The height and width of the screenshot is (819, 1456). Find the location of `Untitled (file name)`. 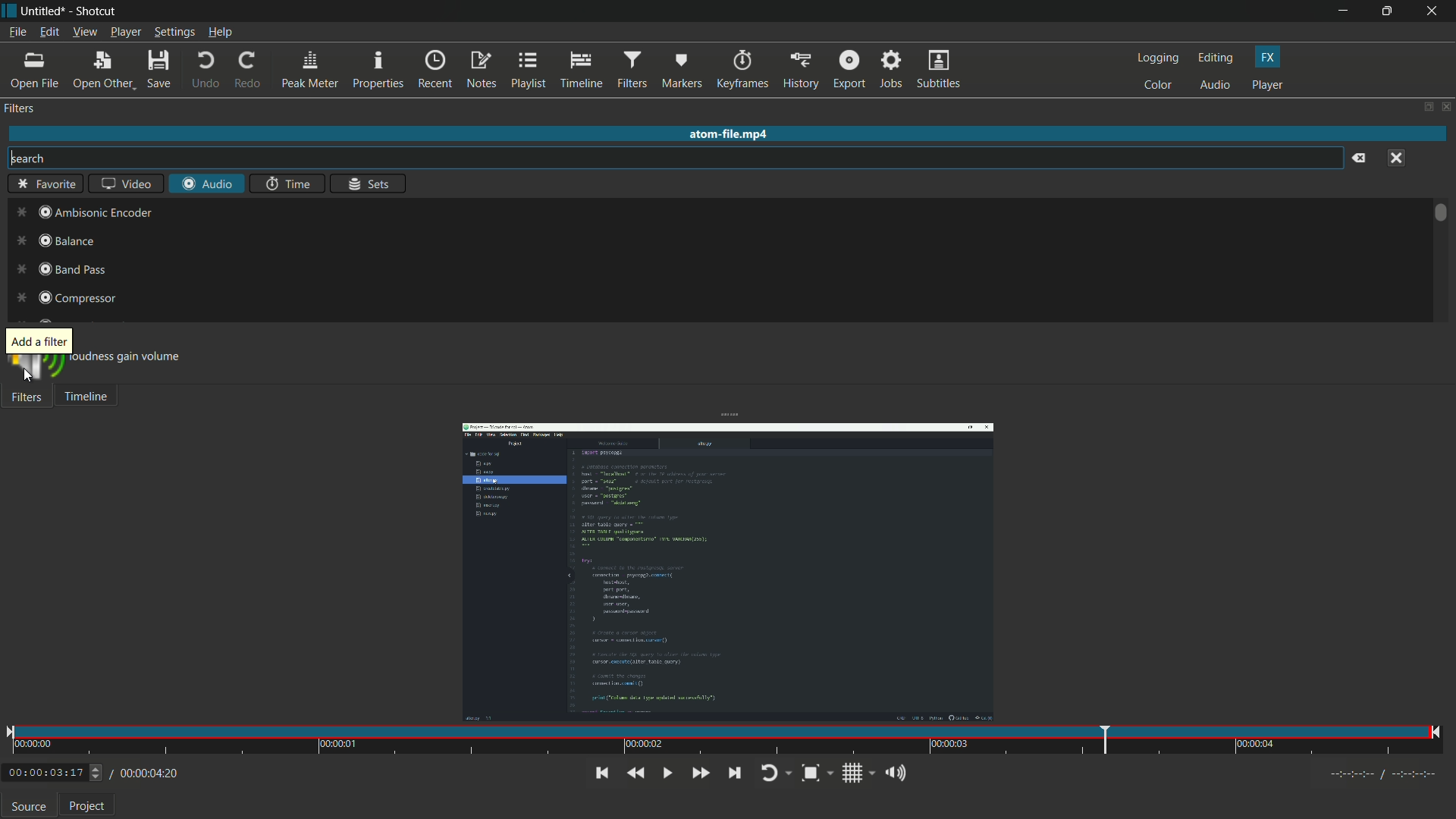

Untitled (file name) is located at coordinates (44, 11).